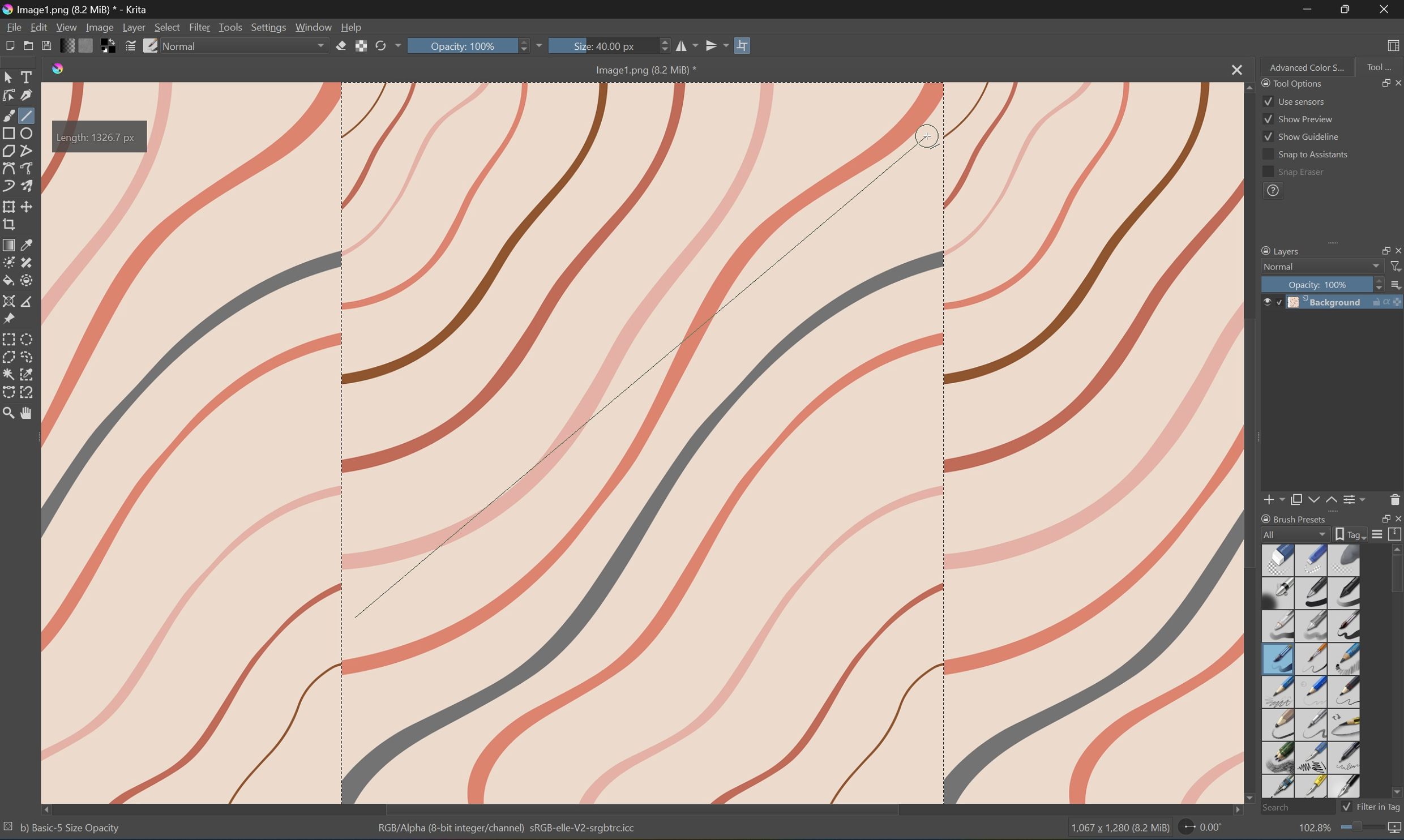 The width and height of the screenshot is (1404, 840). Describe the element at coordinates (1251, 796) in the screenshot. I see `Scroll Bottom` at that location.